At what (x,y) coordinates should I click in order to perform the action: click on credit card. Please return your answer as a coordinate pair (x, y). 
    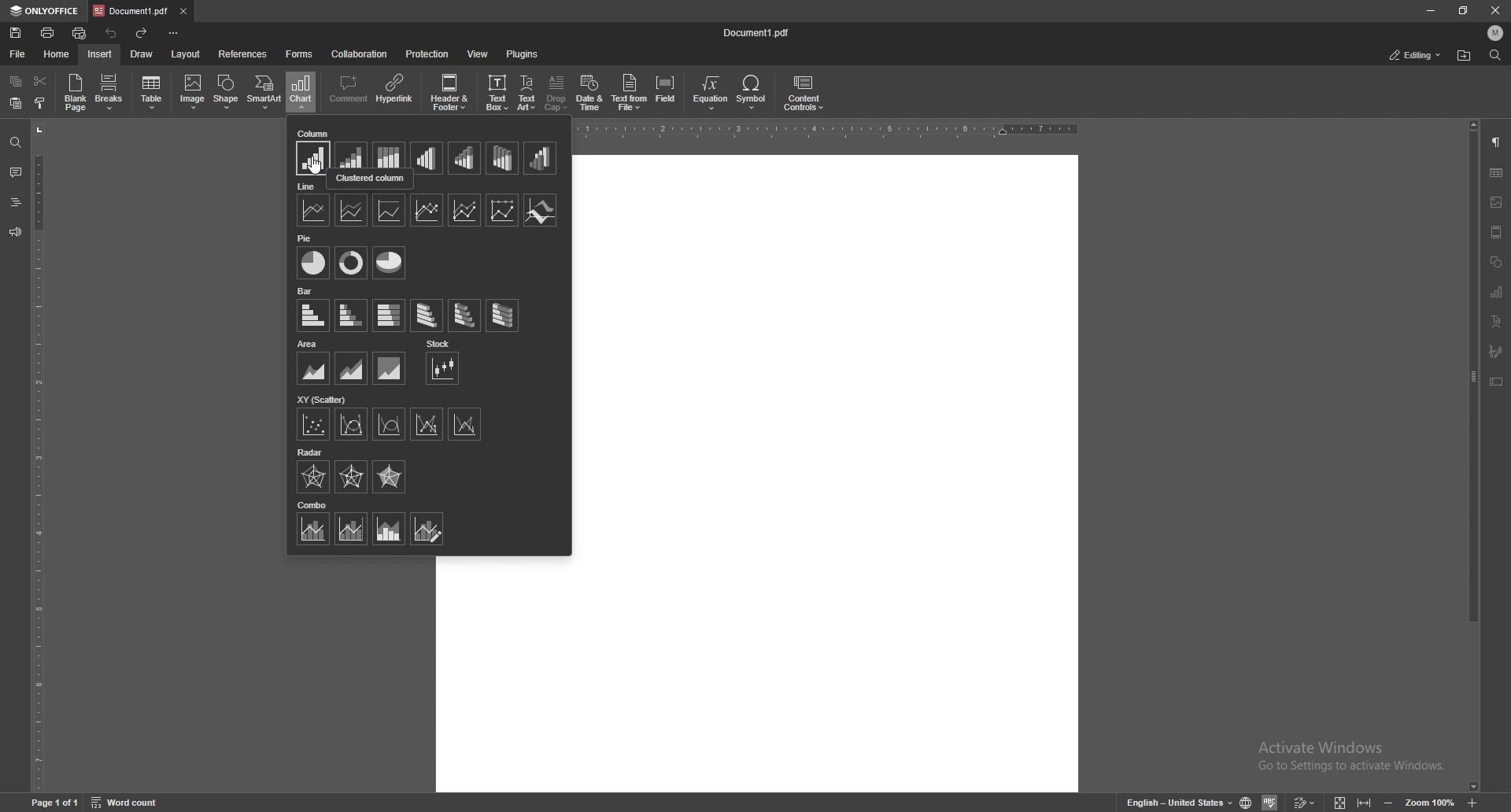
    Looking at the image, I should click on (495, 92).